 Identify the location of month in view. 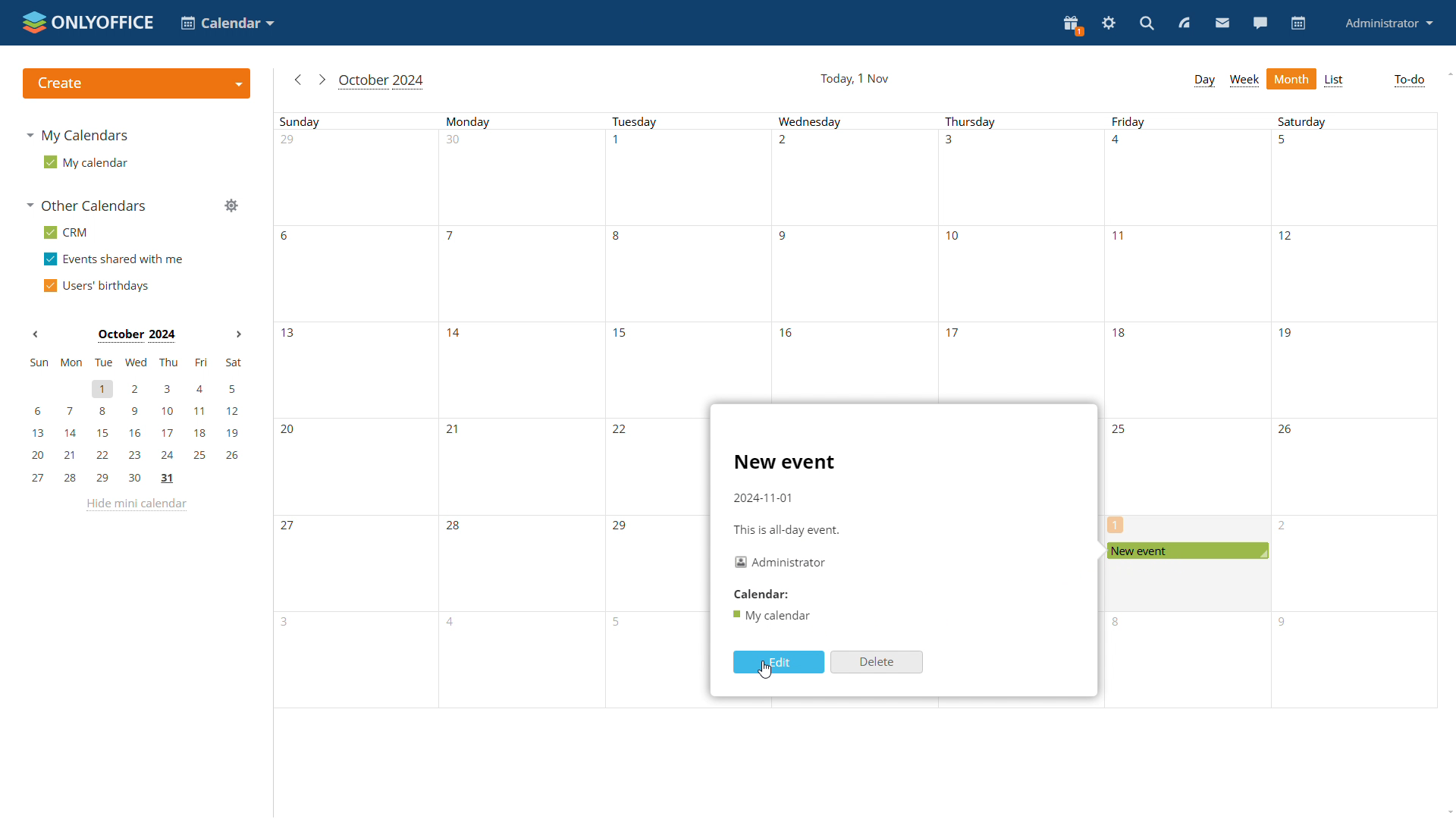
(384, 82).